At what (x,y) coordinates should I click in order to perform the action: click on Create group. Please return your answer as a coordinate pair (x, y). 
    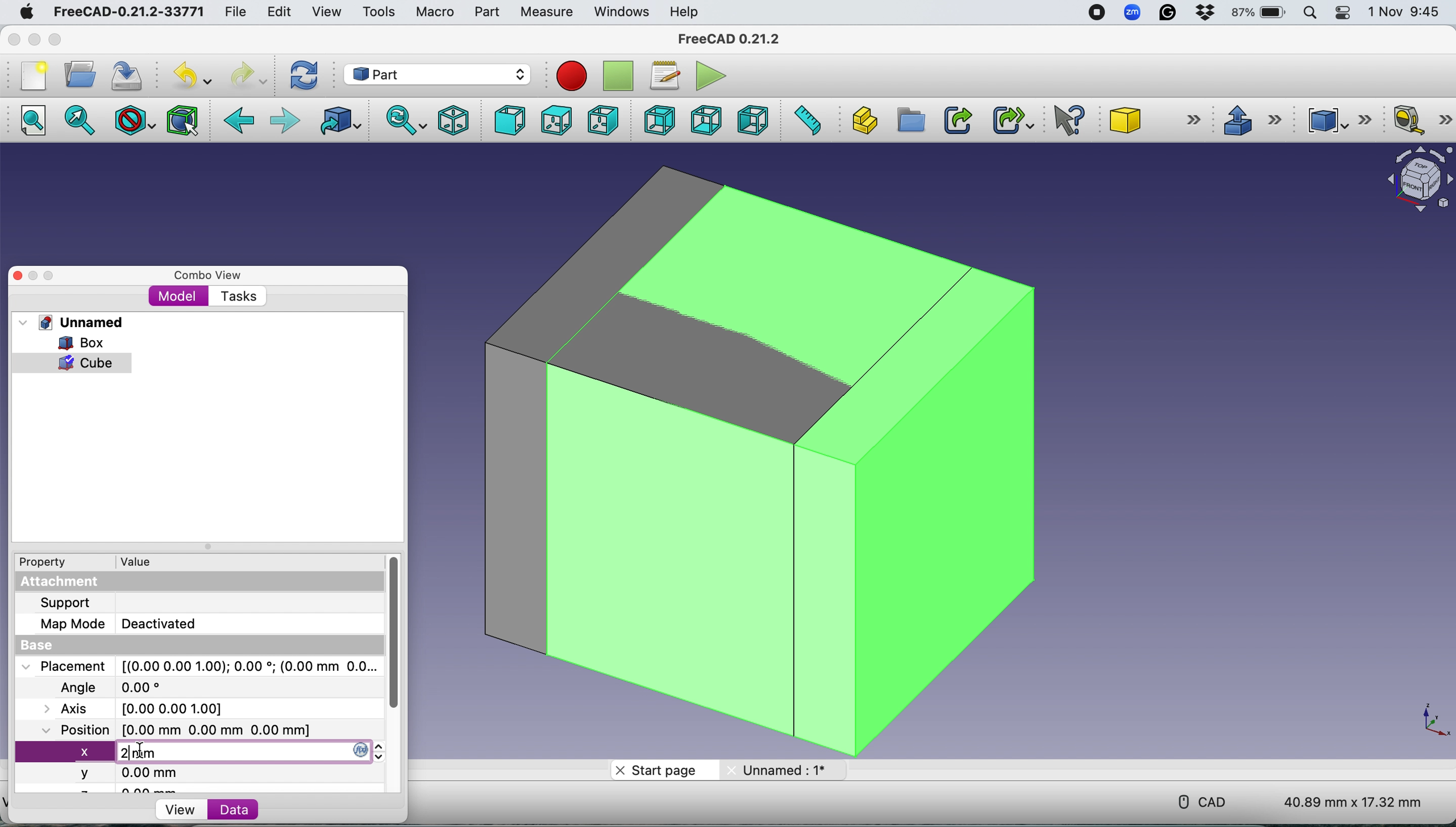
    Looking at the image, I should click on (909, 120).